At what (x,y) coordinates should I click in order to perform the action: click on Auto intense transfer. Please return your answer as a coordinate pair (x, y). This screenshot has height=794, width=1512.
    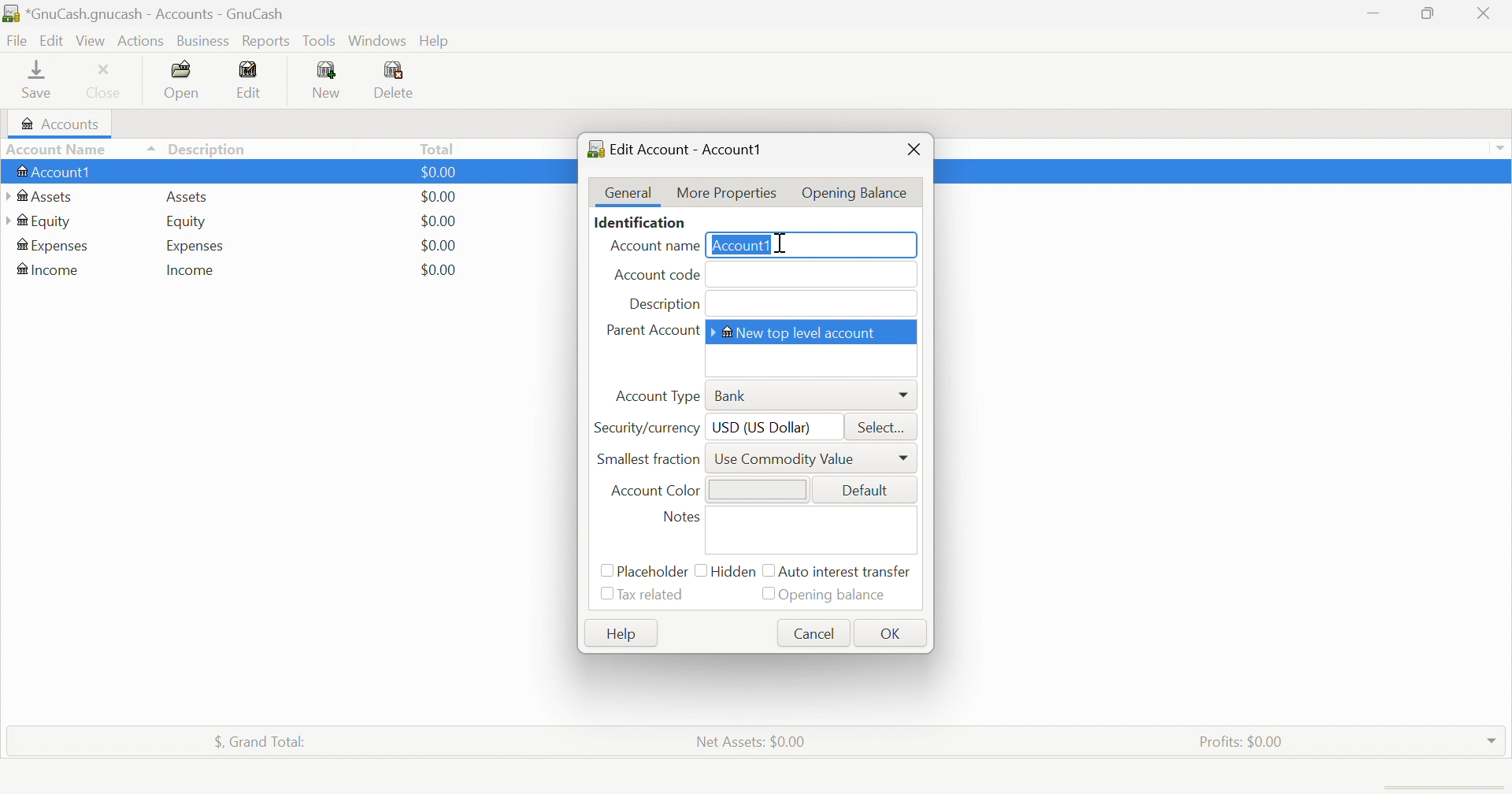
    Looking at the image, I should click on (843, 572).